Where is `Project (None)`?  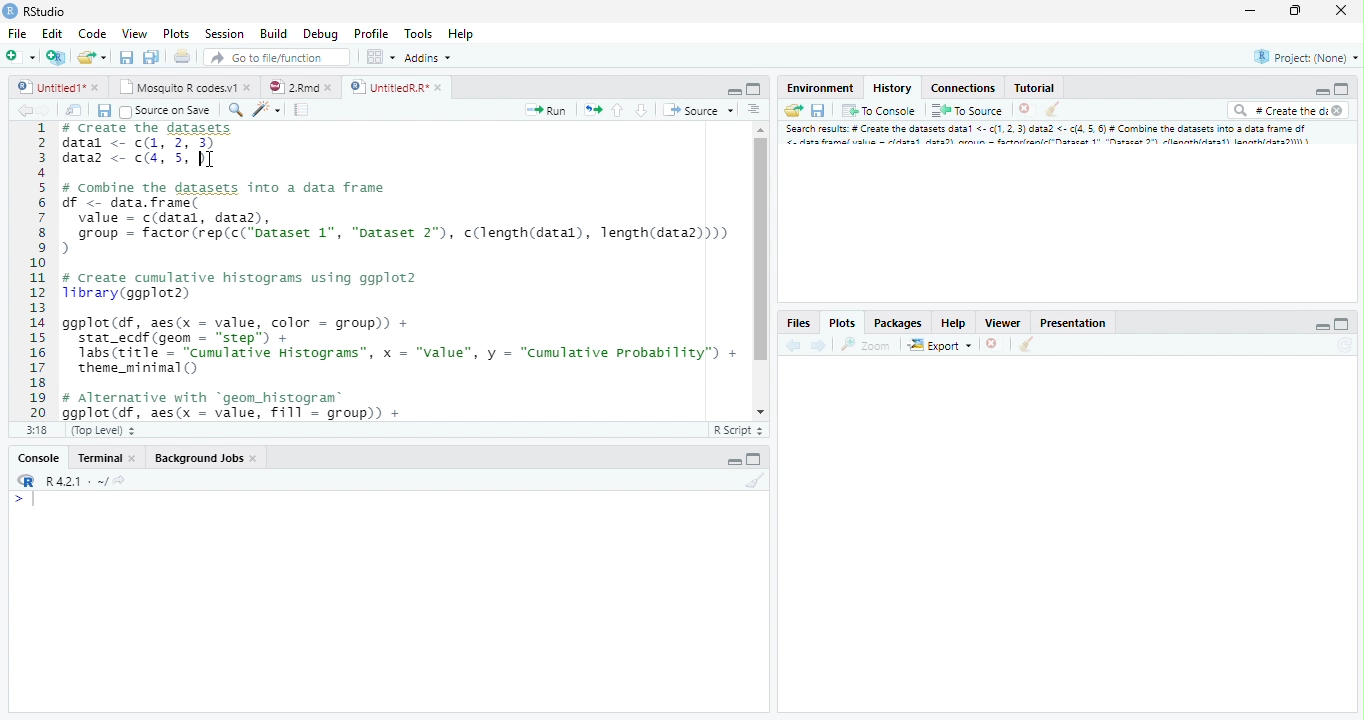 Project (None) is located at coordinates (1308, 57).